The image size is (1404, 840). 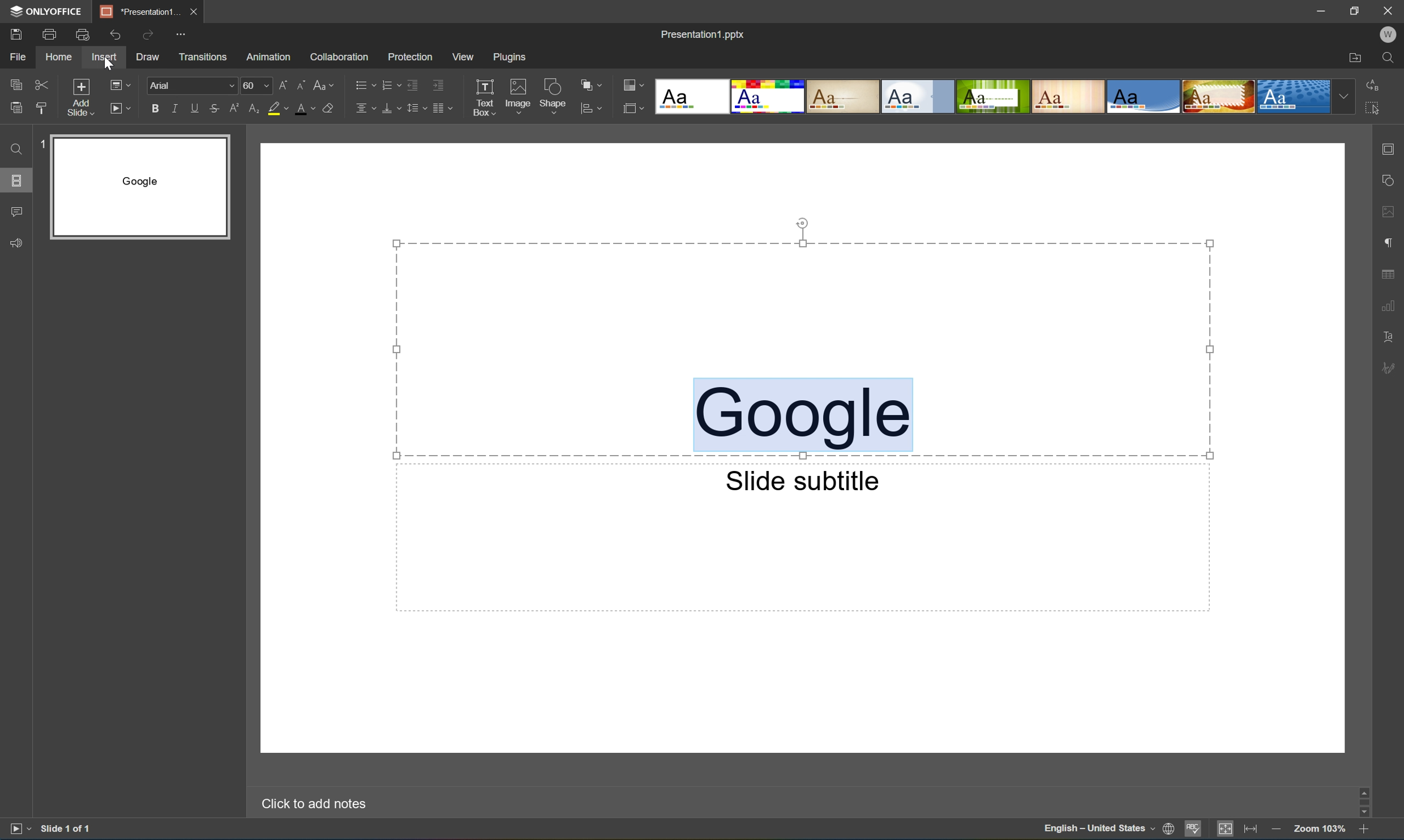 What do you see at coordinates (16, 213) in the screenshot?
I see `Comments` at bounding box center [16, 213].